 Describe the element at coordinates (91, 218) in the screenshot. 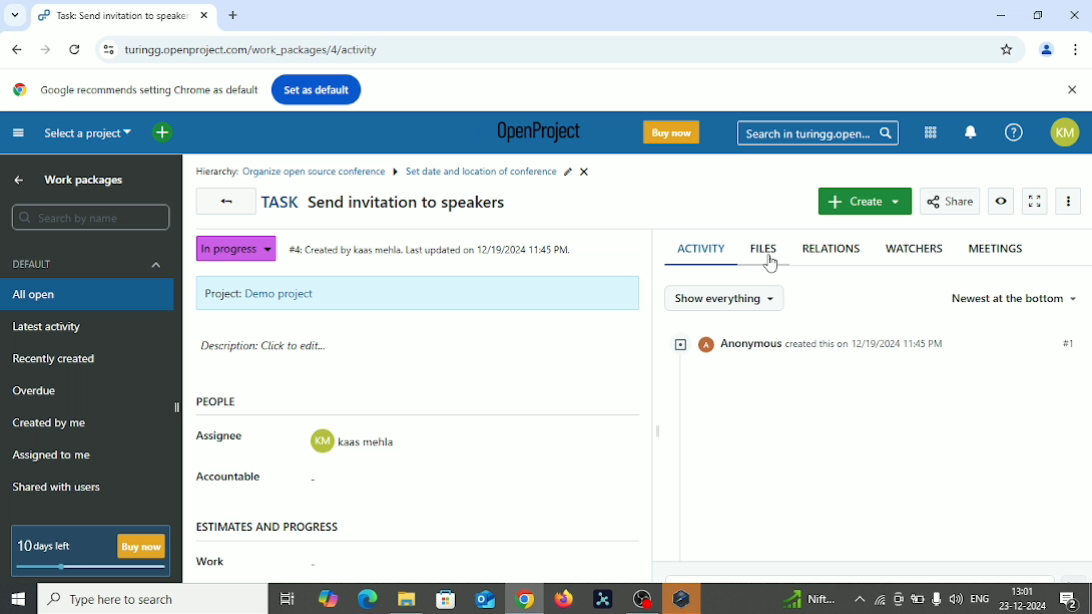

I see `Search` at that location.